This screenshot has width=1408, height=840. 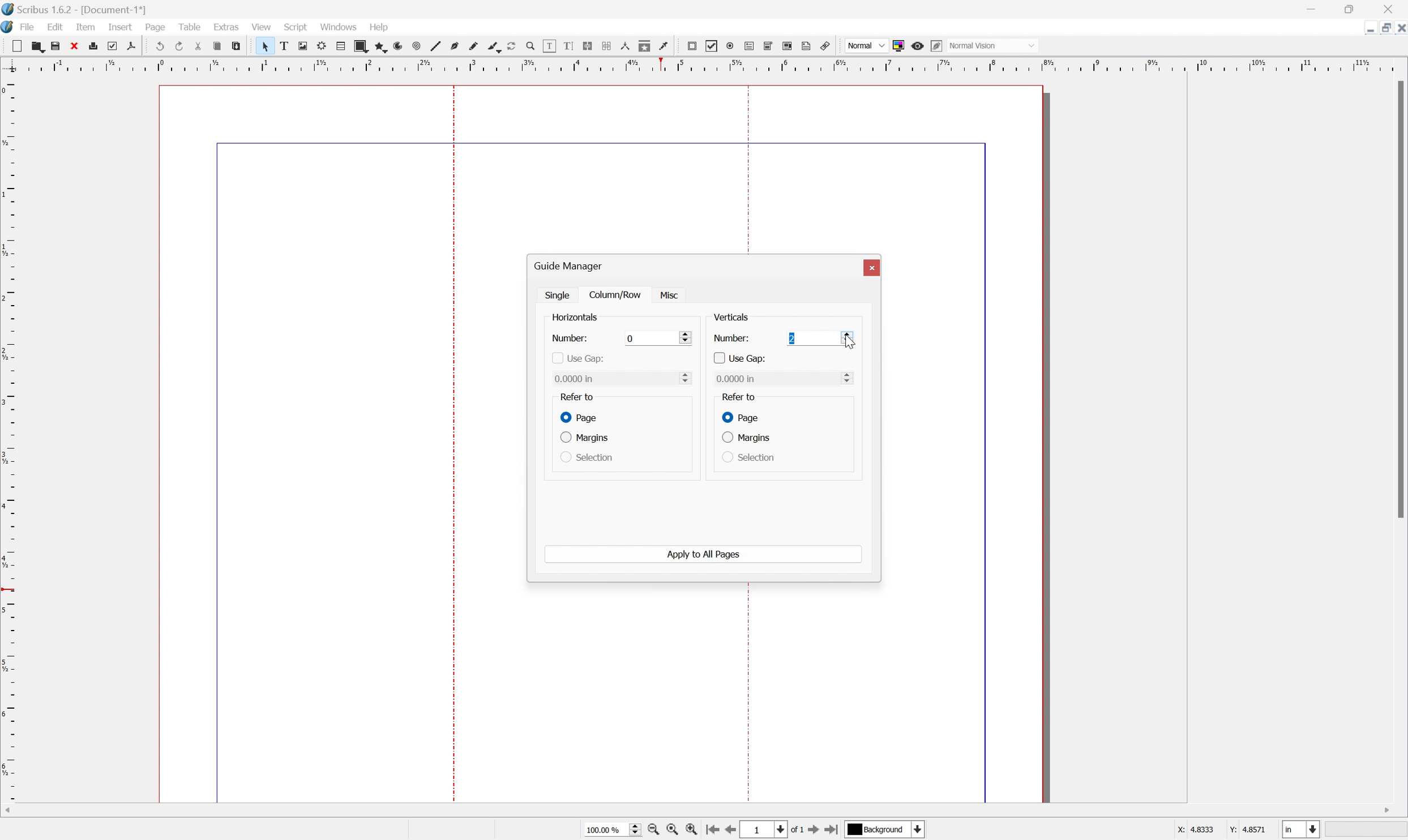 What do you see at coordinates (624, 46) in the screenshot?
I see `measurements` at bounding box center [624, 46].